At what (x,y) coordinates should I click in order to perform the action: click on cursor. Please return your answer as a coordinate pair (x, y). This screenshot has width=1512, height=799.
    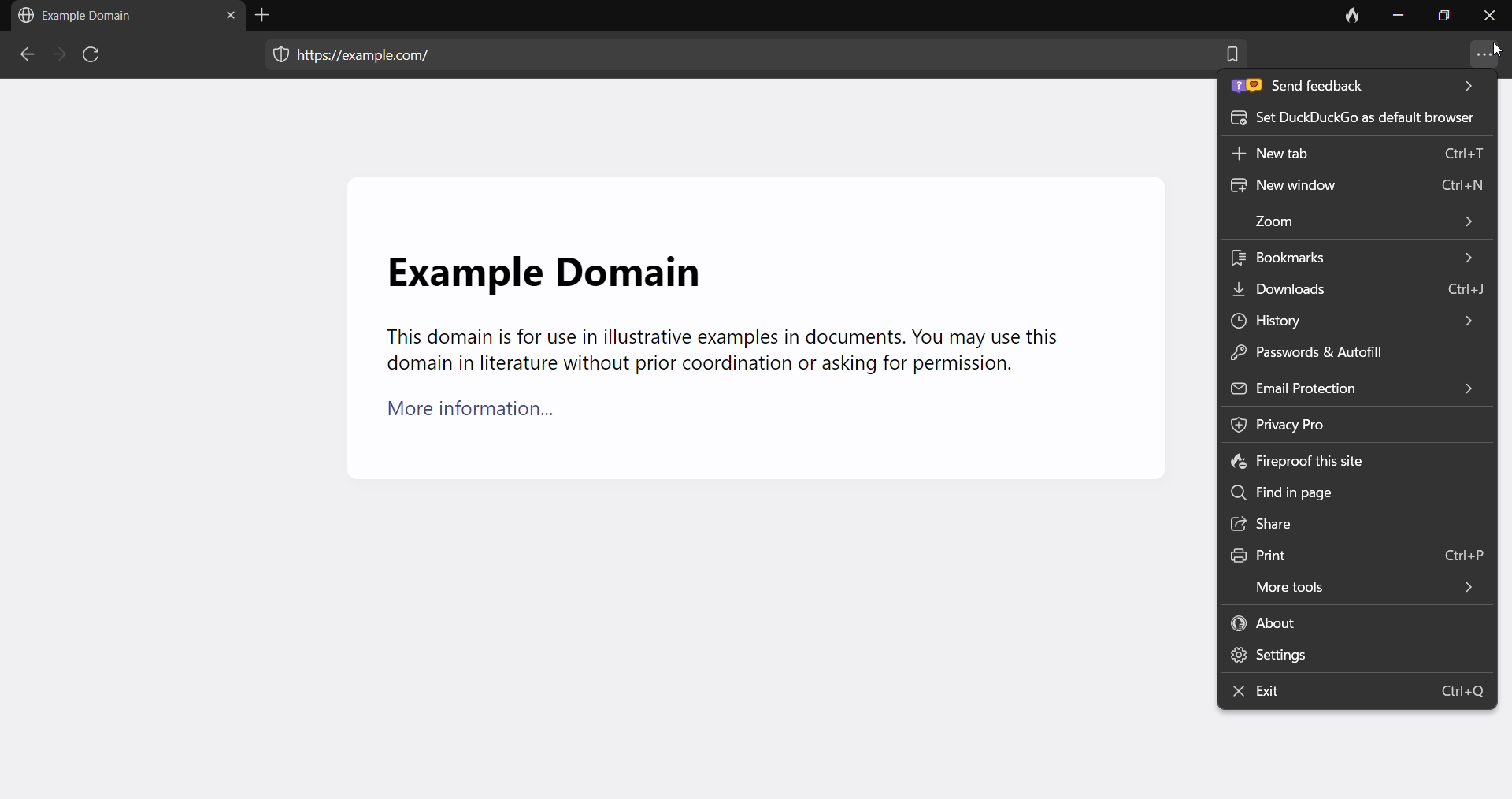
    Looking at the image, I should click on (1495, 49).